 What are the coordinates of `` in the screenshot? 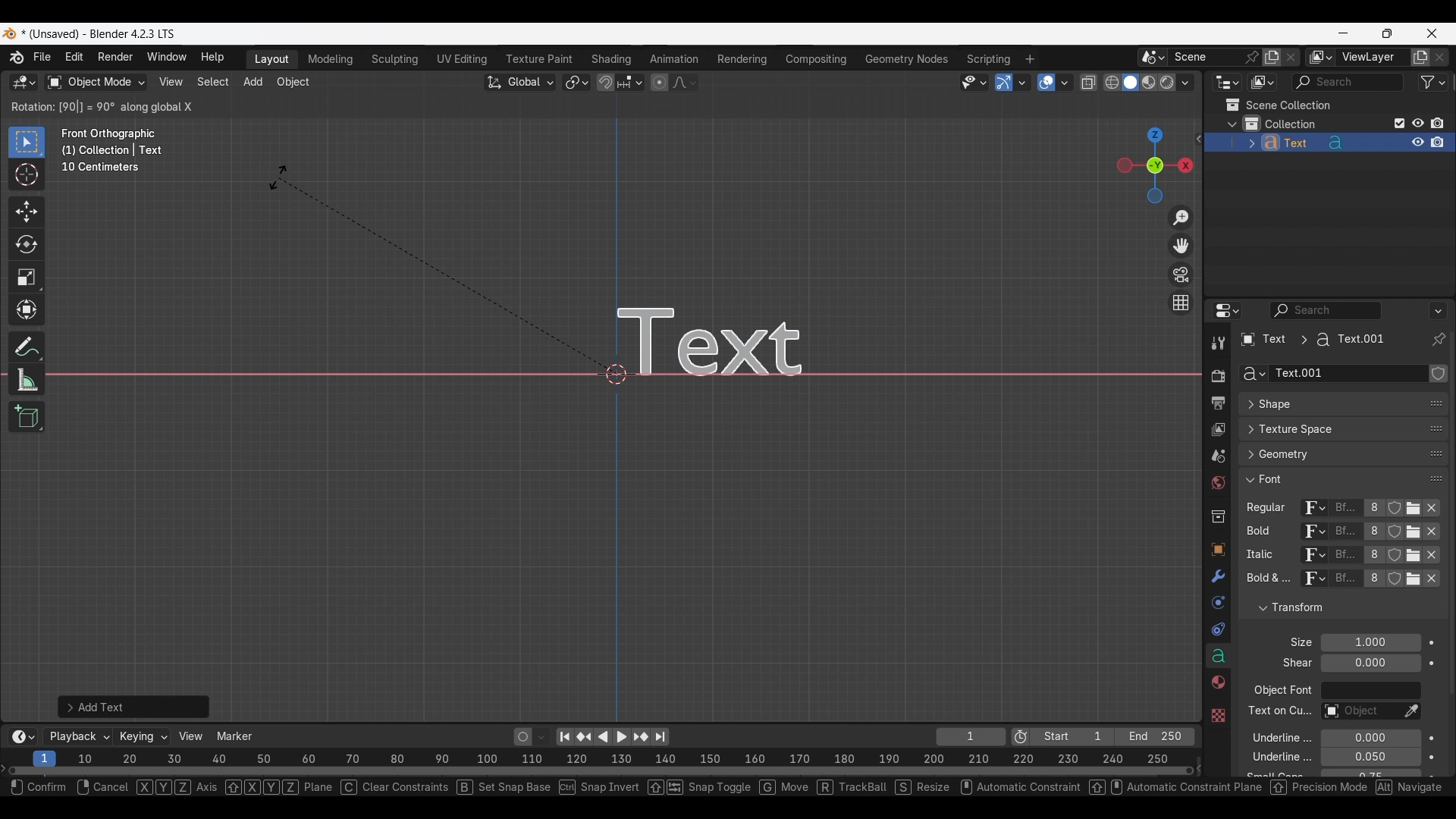 It's located at (104, 787).